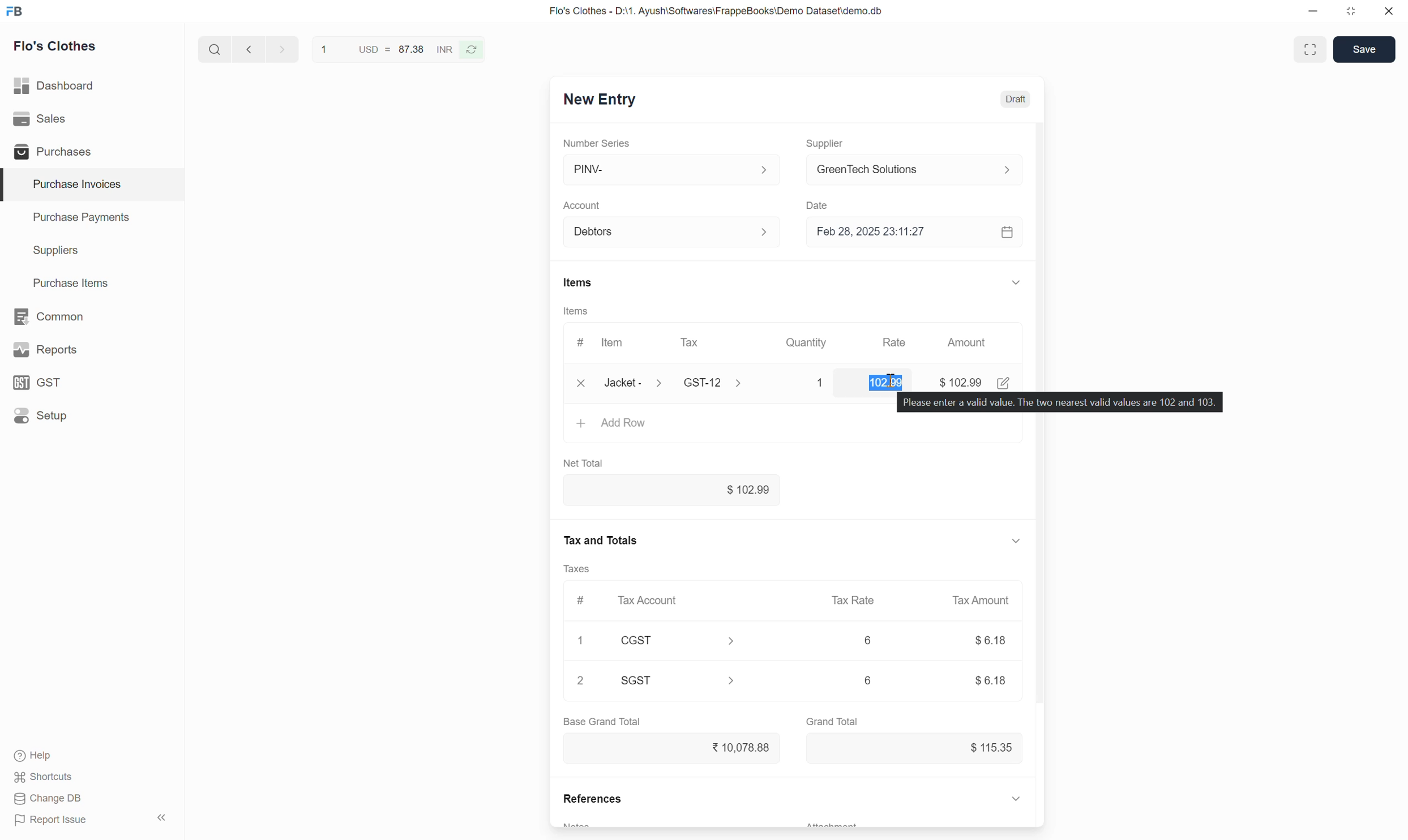 This screenshot has width=1408, height=840. I want to click on Close, so click(581, 383).